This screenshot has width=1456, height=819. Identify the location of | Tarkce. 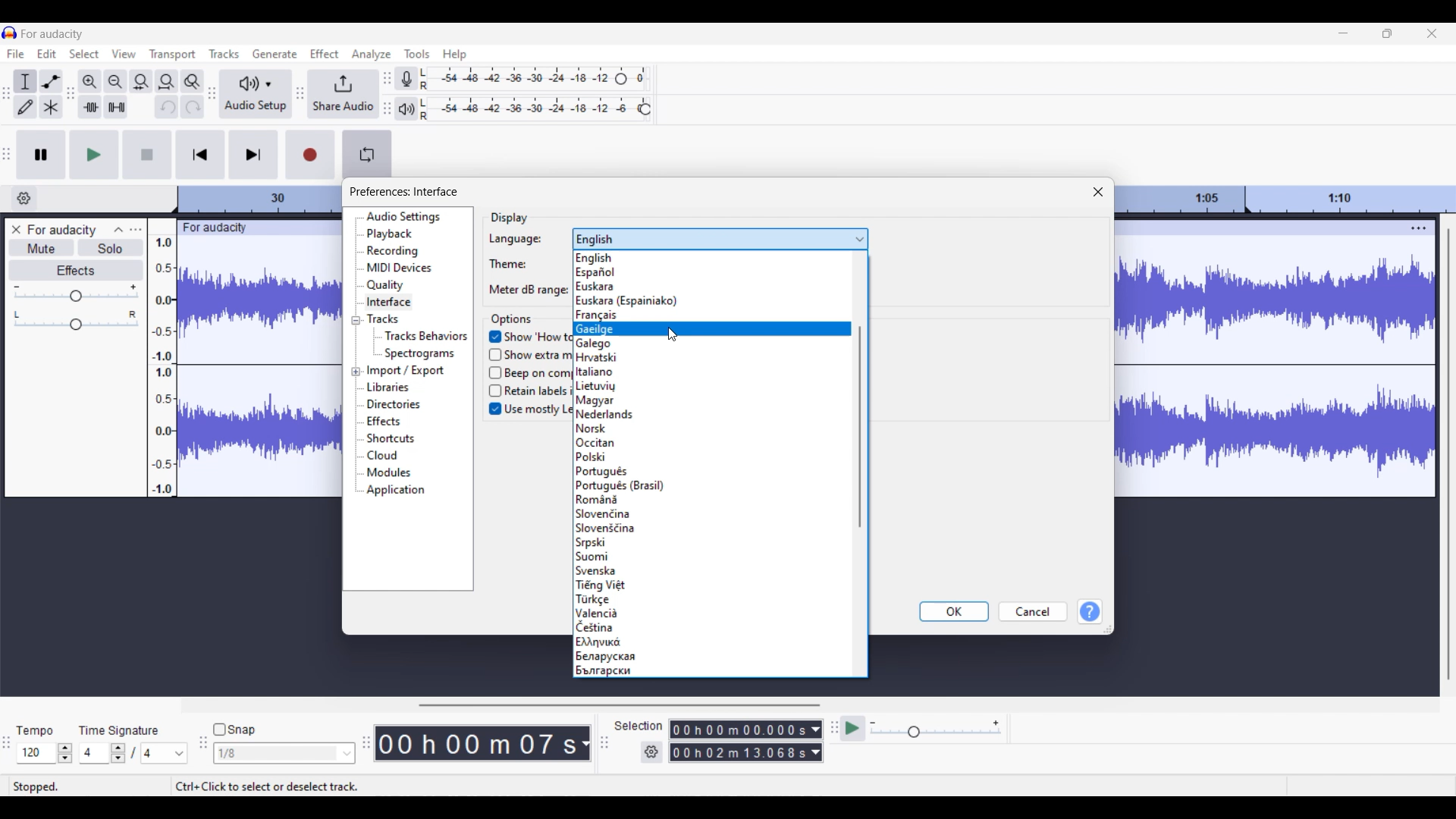
(592, 598).